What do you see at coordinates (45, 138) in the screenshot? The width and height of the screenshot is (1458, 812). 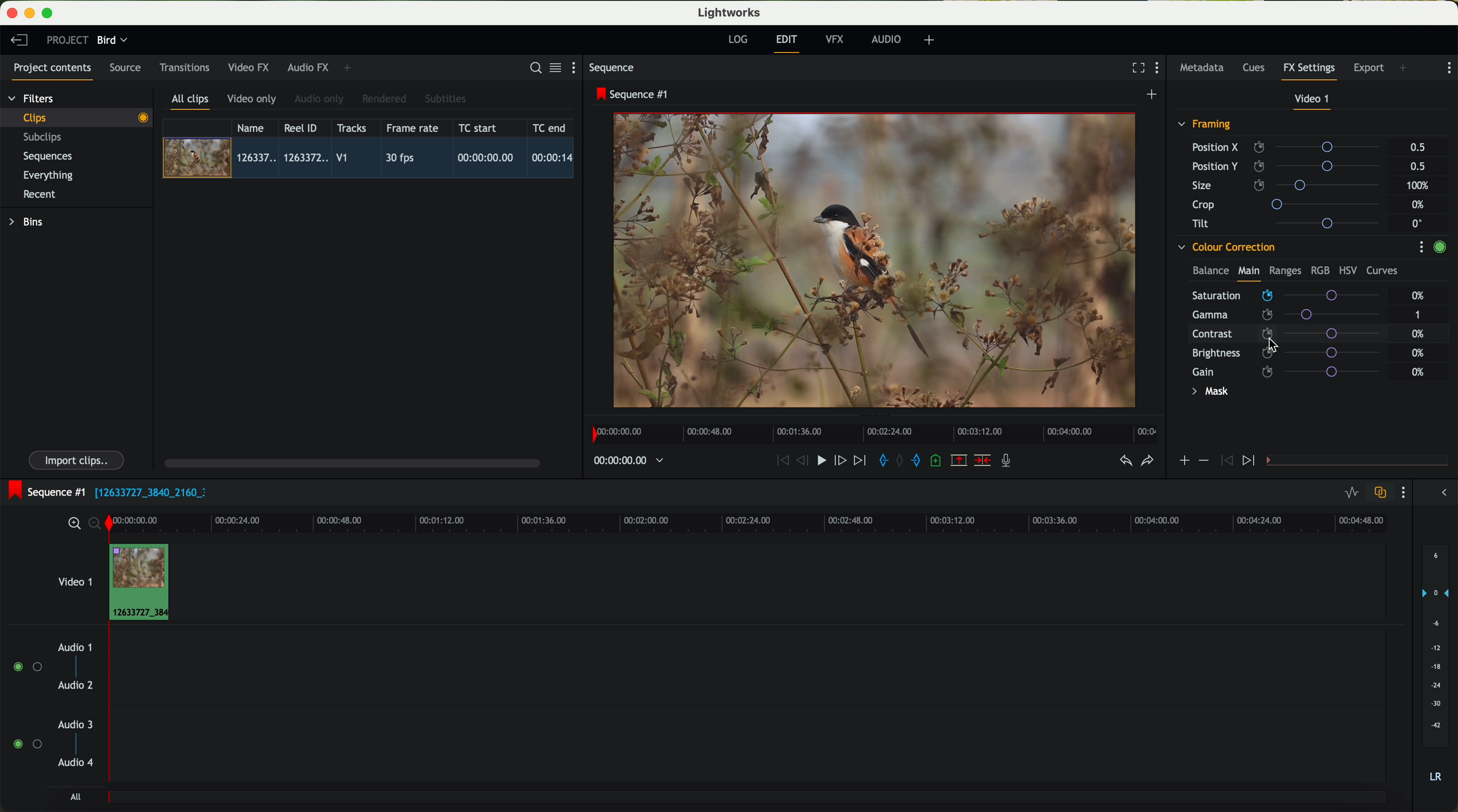 I see `subclips` at bounding box center [45, 138].